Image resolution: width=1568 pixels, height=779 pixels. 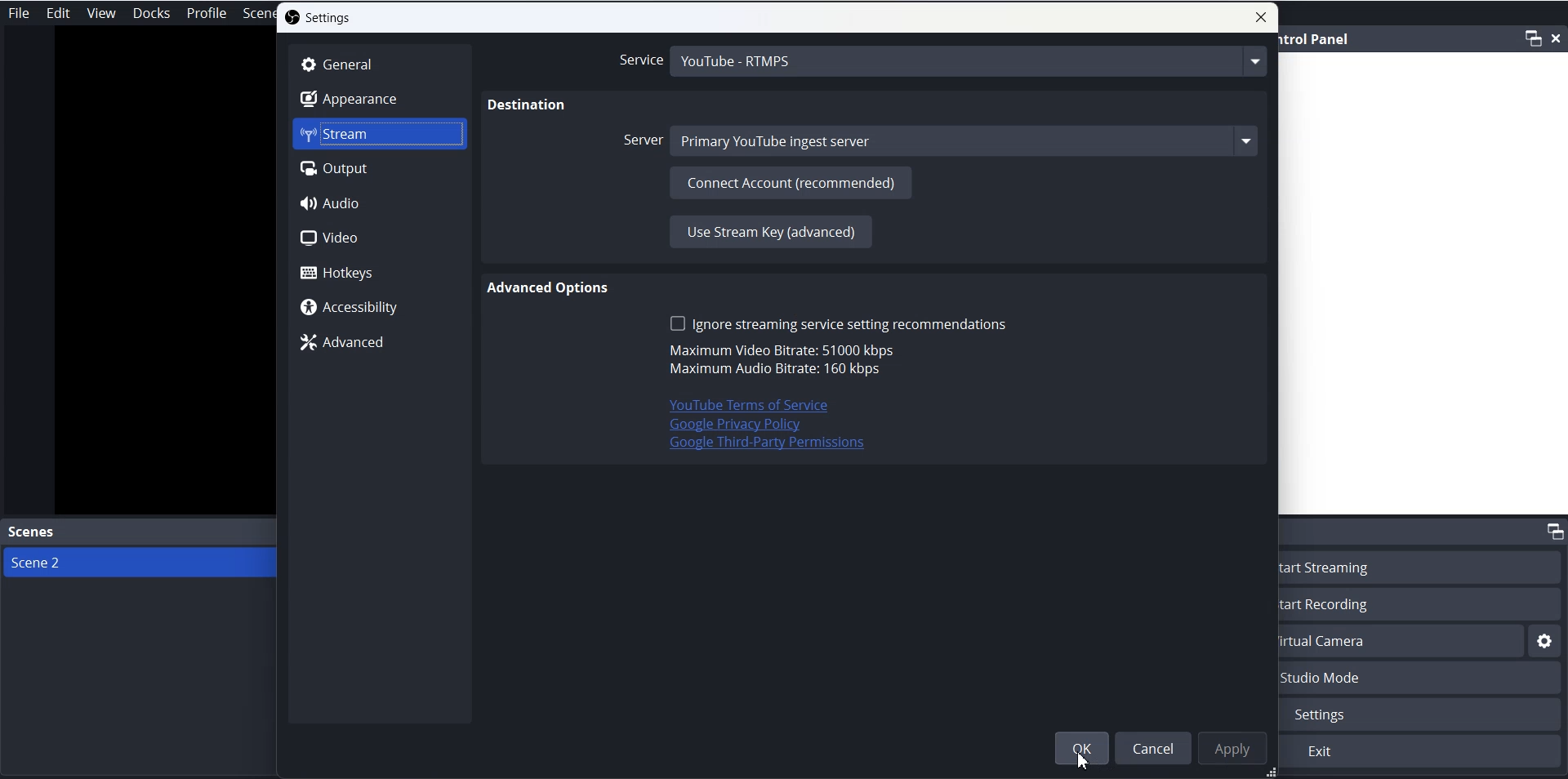 What do you see at coordinates (1402, 641) in the screenshot?
I see `Start Virtual Camera` at bounding box center [1402, 641].